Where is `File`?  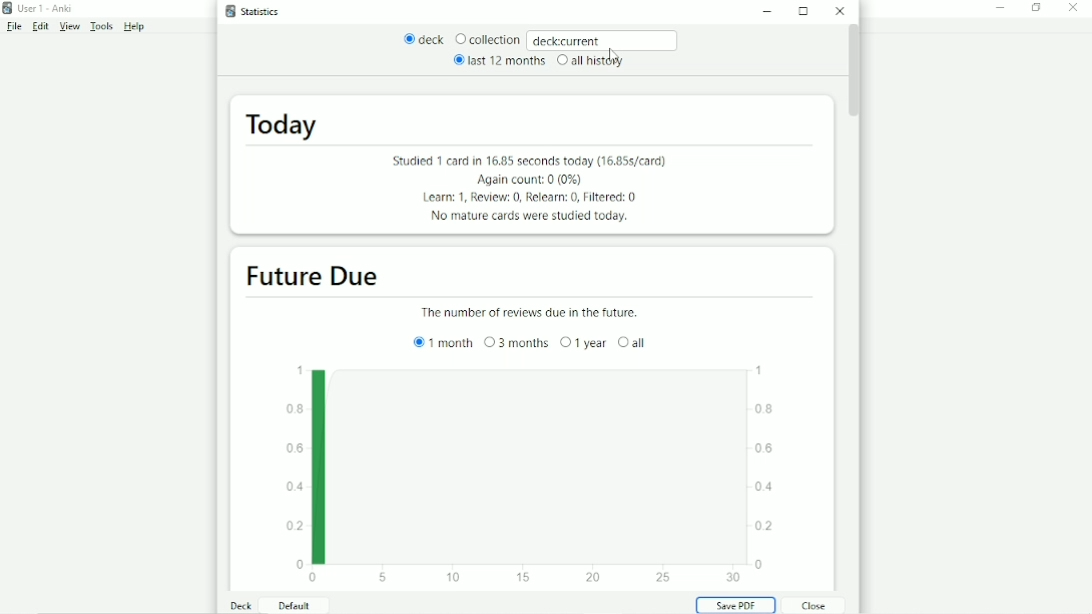 File is located at coordinates (14, 28).